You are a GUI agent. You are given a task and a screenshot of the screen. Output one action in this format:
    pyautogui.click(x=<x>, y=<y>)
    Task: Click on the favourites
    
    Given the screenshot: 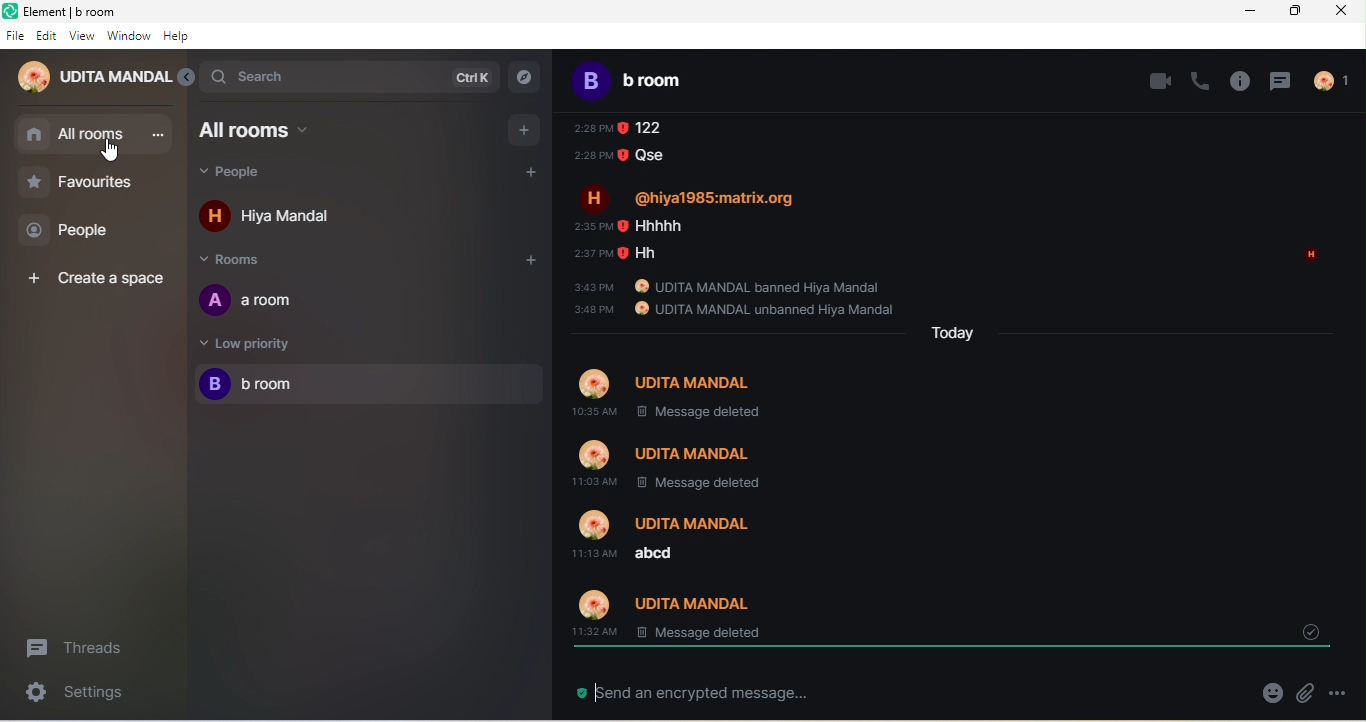 What is the action you would take?
    pyautogui.click(x=94, y=181)
    